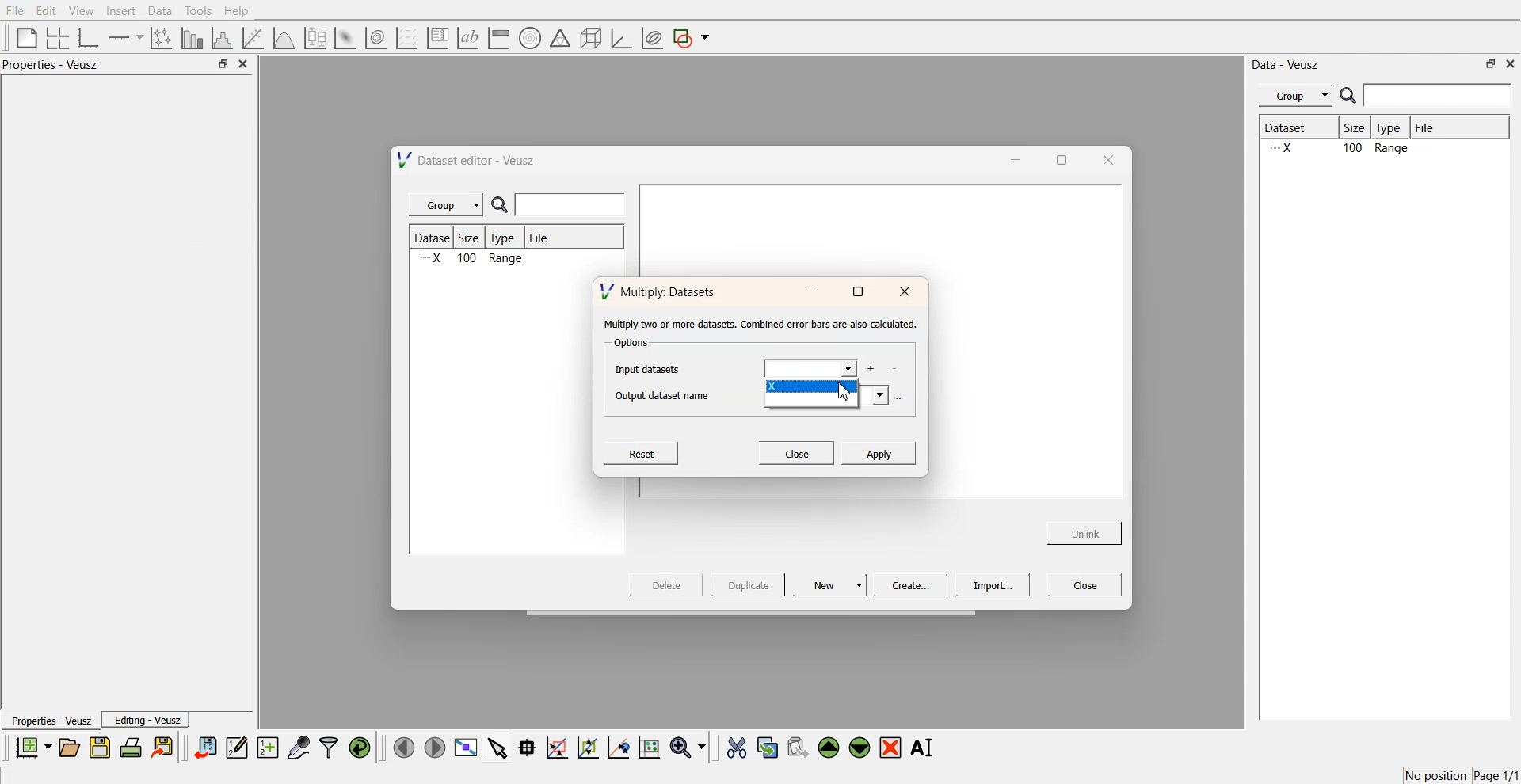 This screenshot has height=784, width=1521. Describe the element at coordinates (475, 260) in the screenshot. I see `X 100 Range` at that location.